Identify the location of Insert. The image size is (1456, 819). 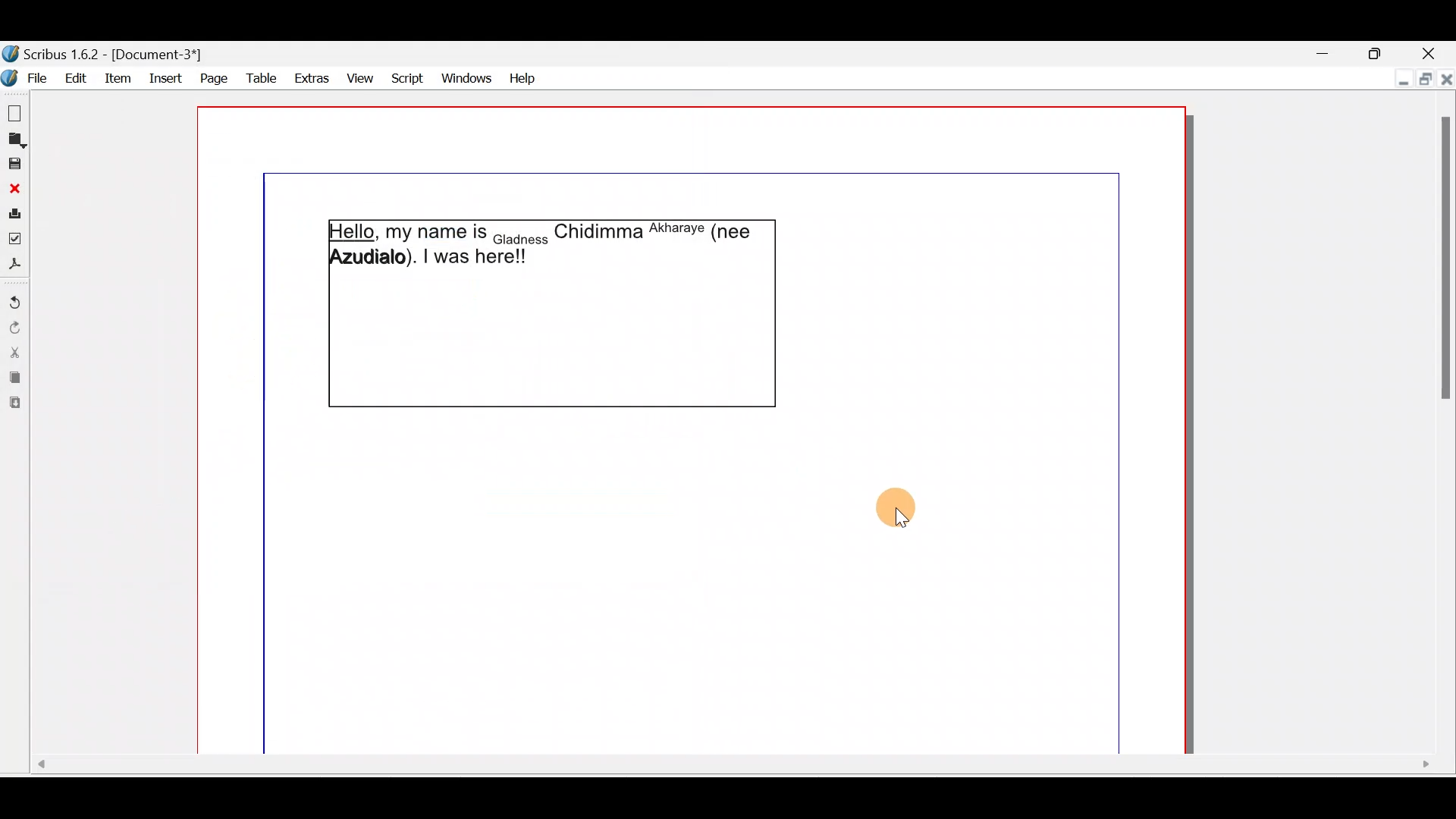
(165, 78).